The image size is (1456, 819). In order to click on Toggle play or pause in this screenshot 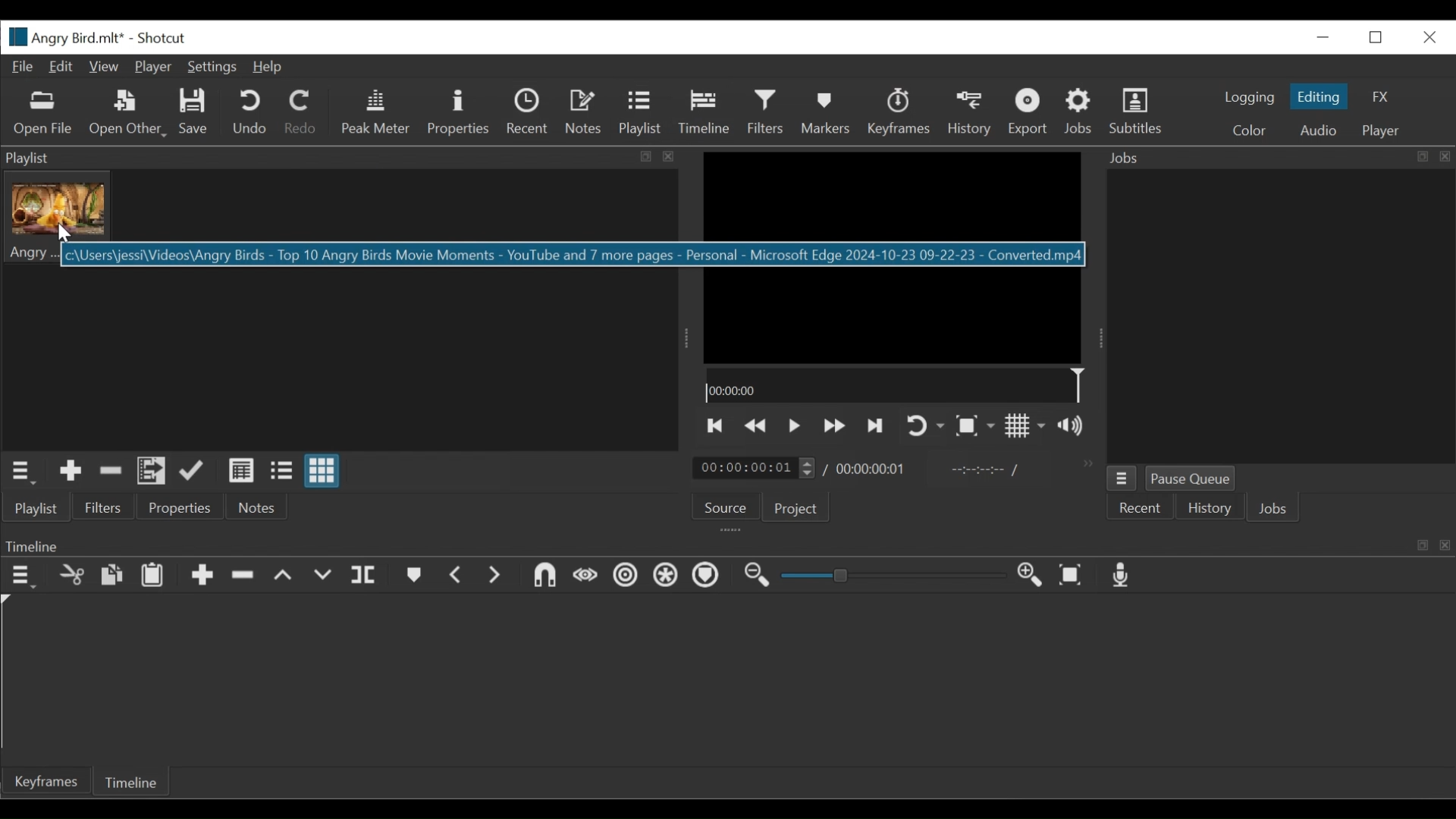, I will do `click(793, 425)`.